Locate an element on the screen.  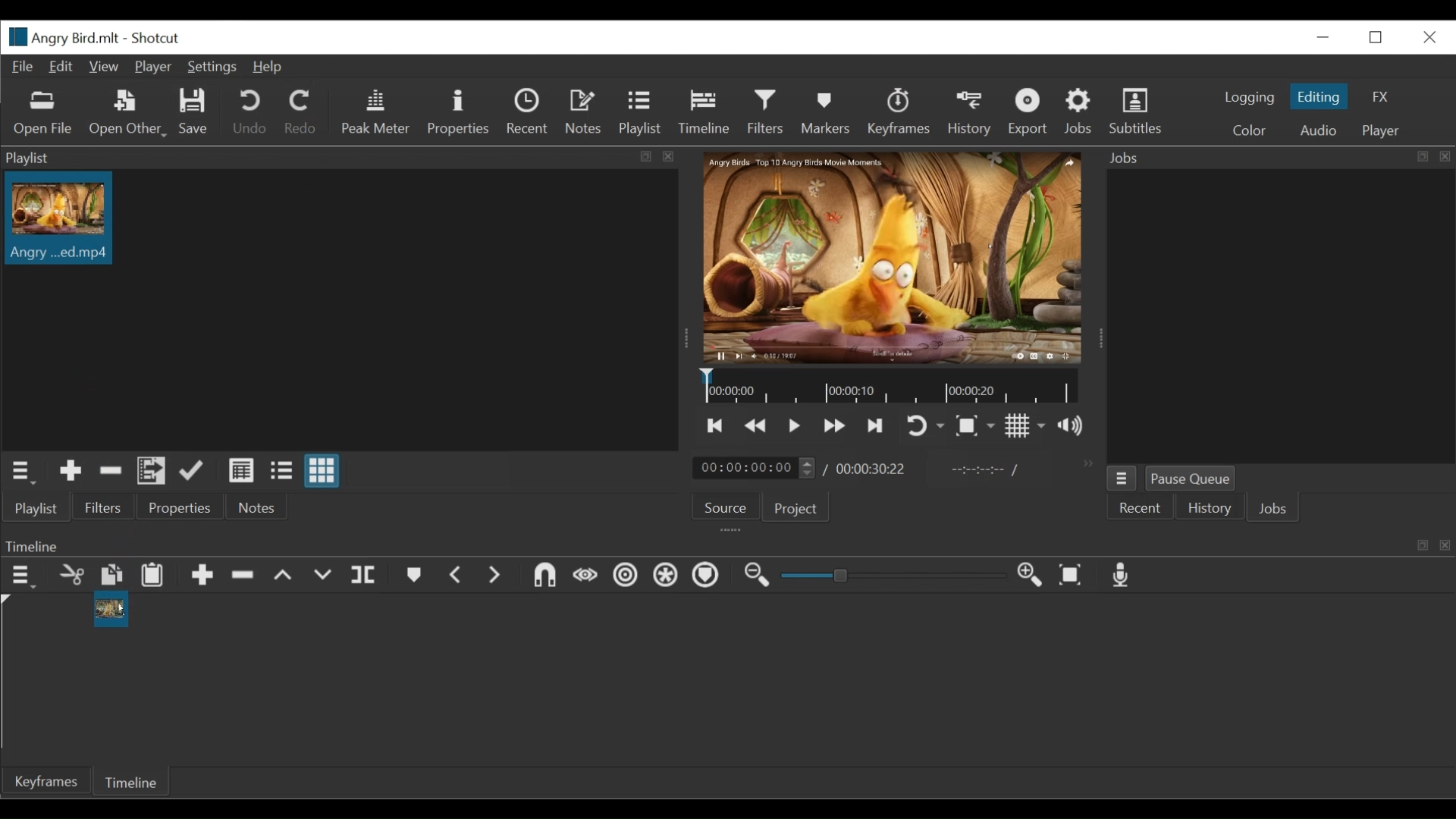
Keyframe is located at coordinates (45, 783).